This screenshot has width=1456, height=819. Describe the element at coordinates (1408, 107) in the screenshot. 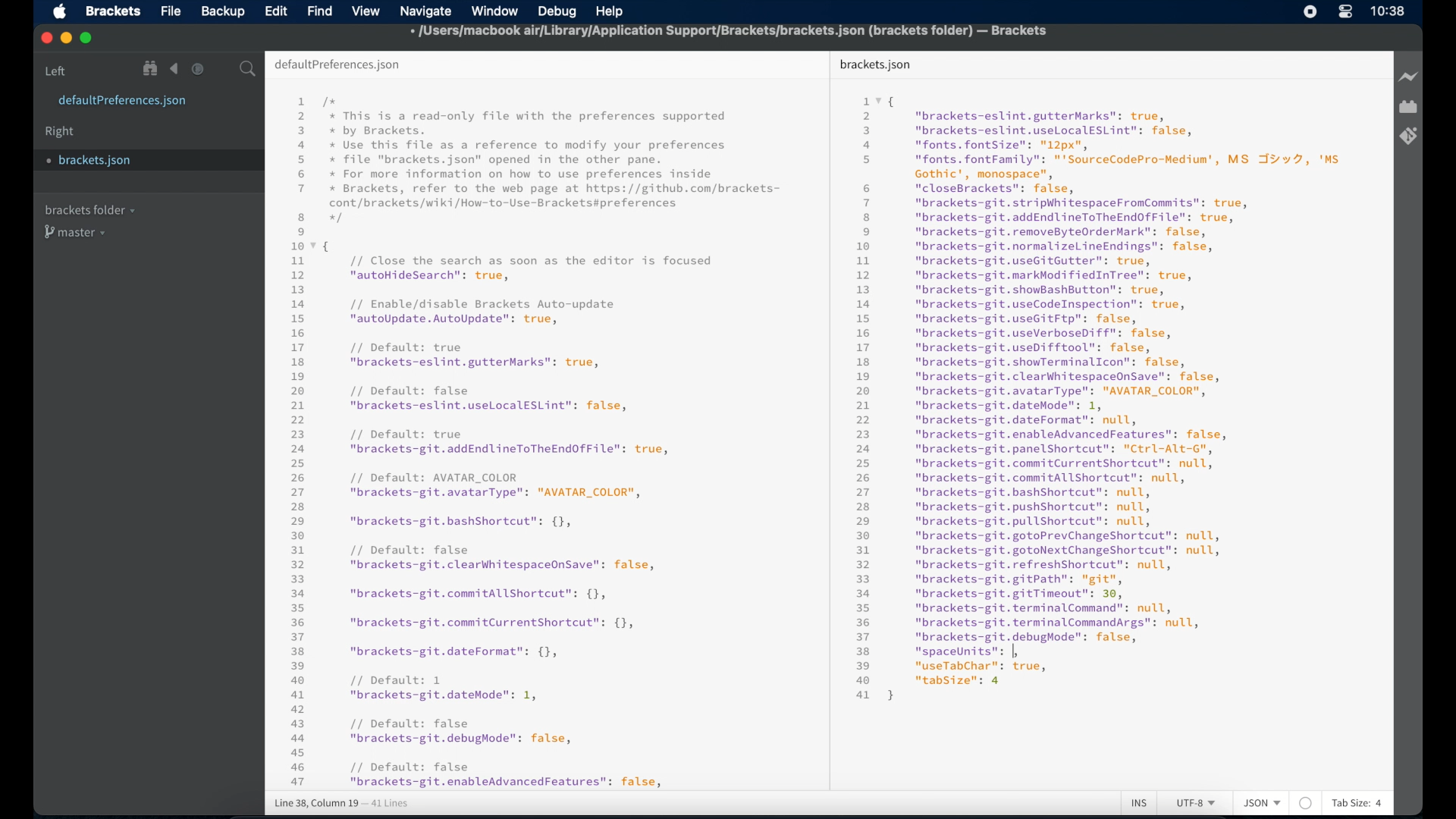

I see `extension manager` at that location.